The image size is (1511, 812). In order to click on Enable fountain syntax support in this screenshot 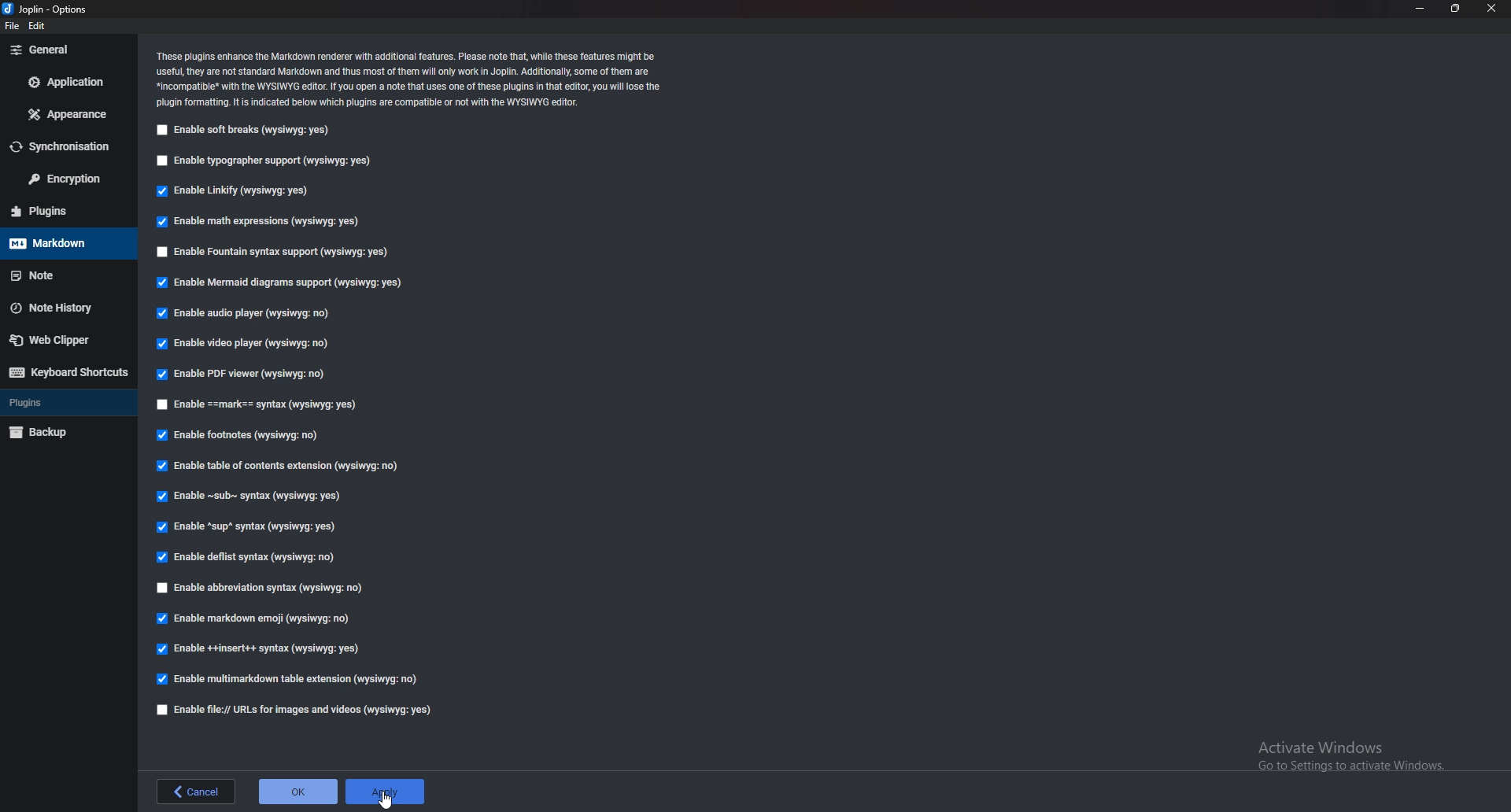, I will do `click(276, 252)`.